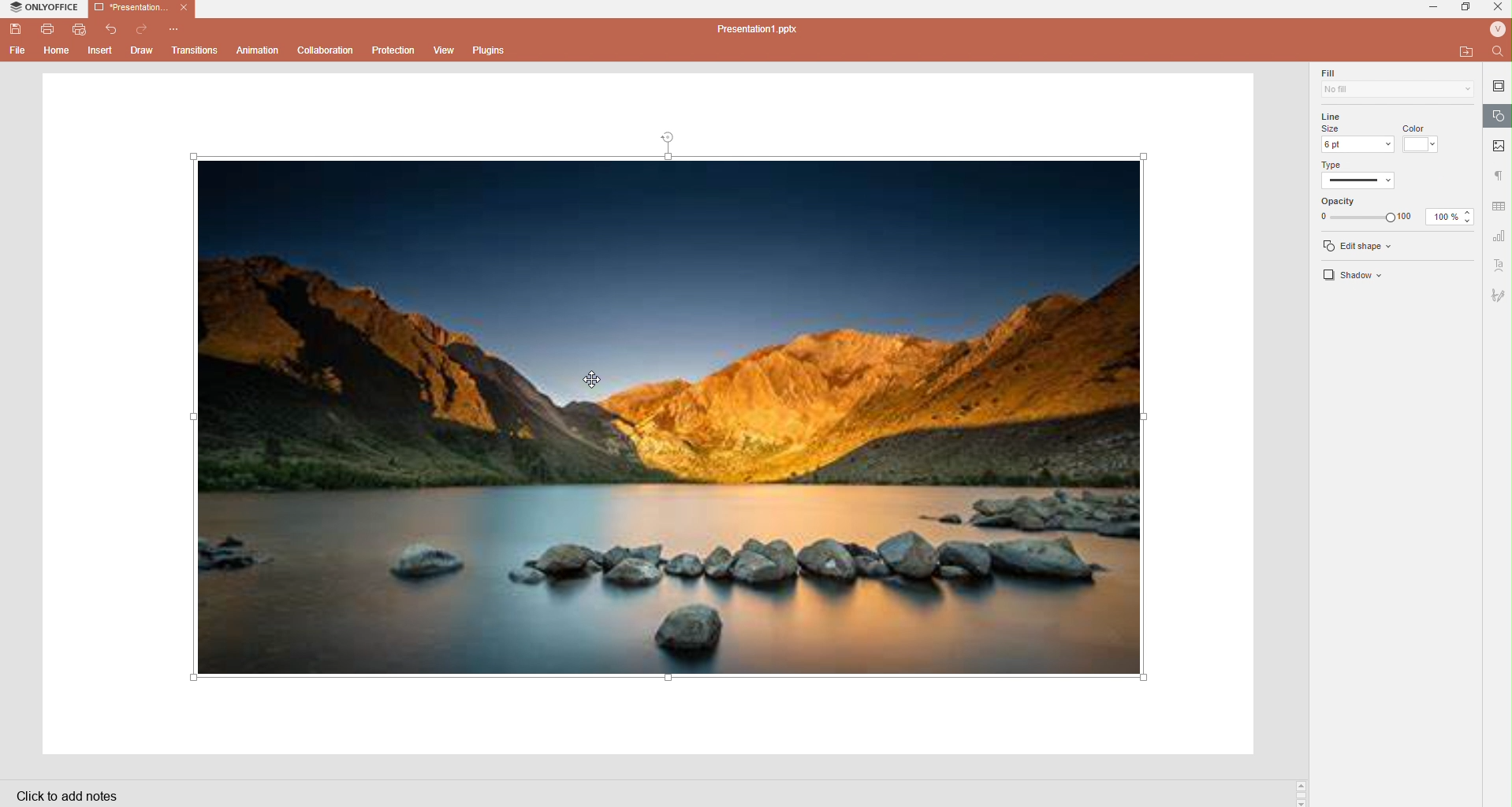 The height and width of the screenshot is (807, 1512). I want to click on edit shape, so click(1366, 247).